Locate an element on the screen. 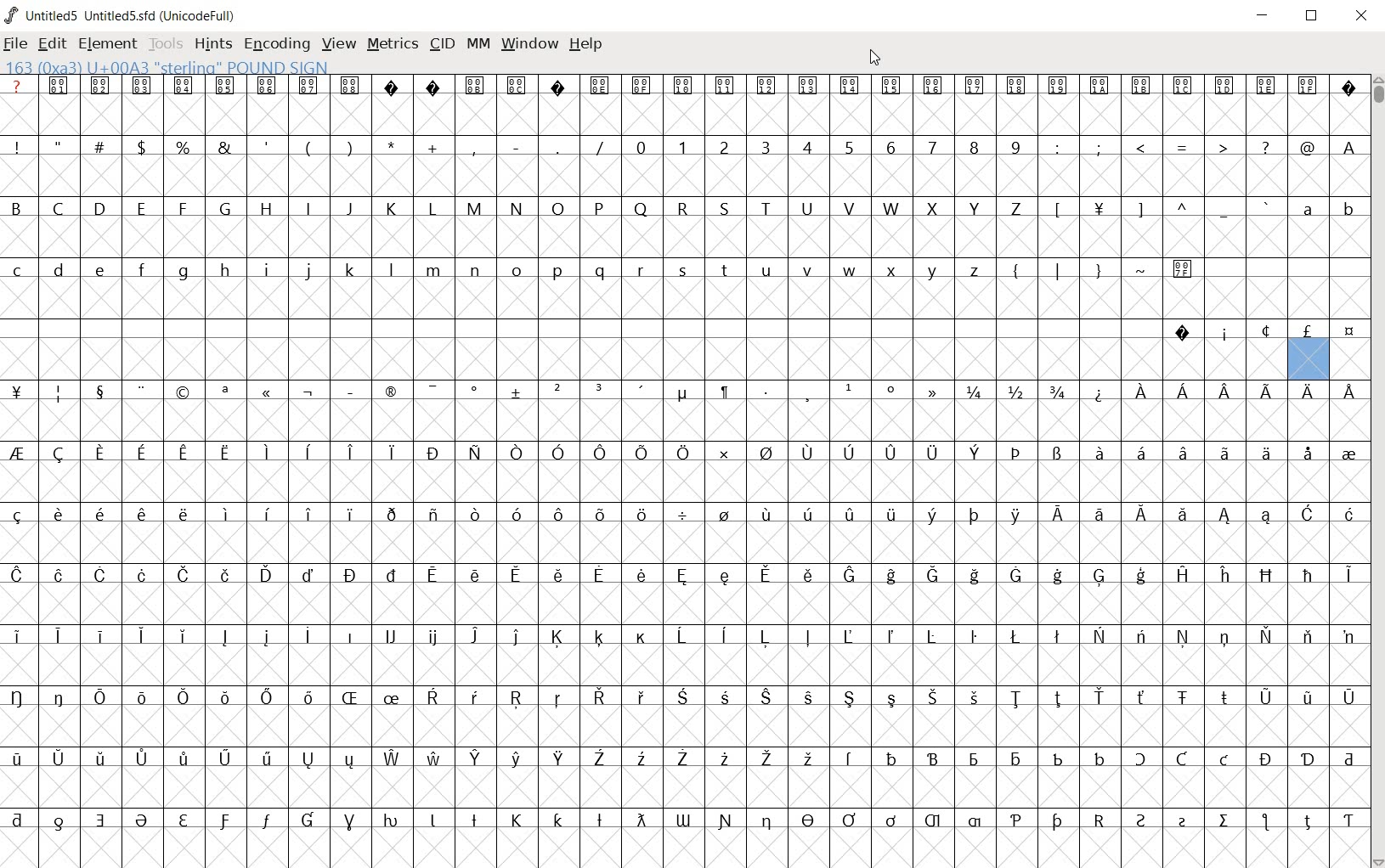 This screenshot has width=1385, height=868. Symbol is located at coordinates (473, 576).